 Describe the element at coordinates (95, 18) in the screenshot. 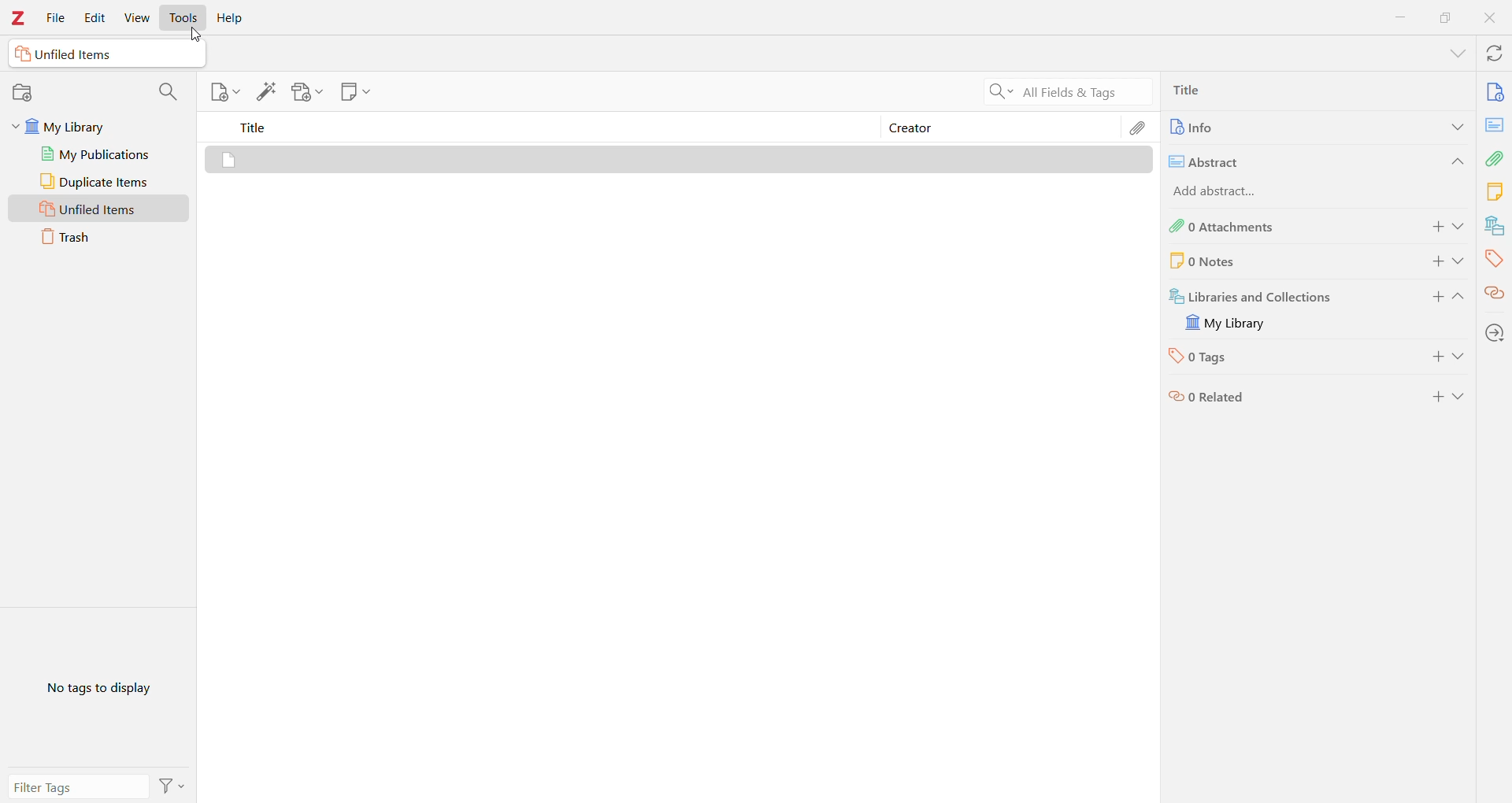

I see `Edit` at that location.